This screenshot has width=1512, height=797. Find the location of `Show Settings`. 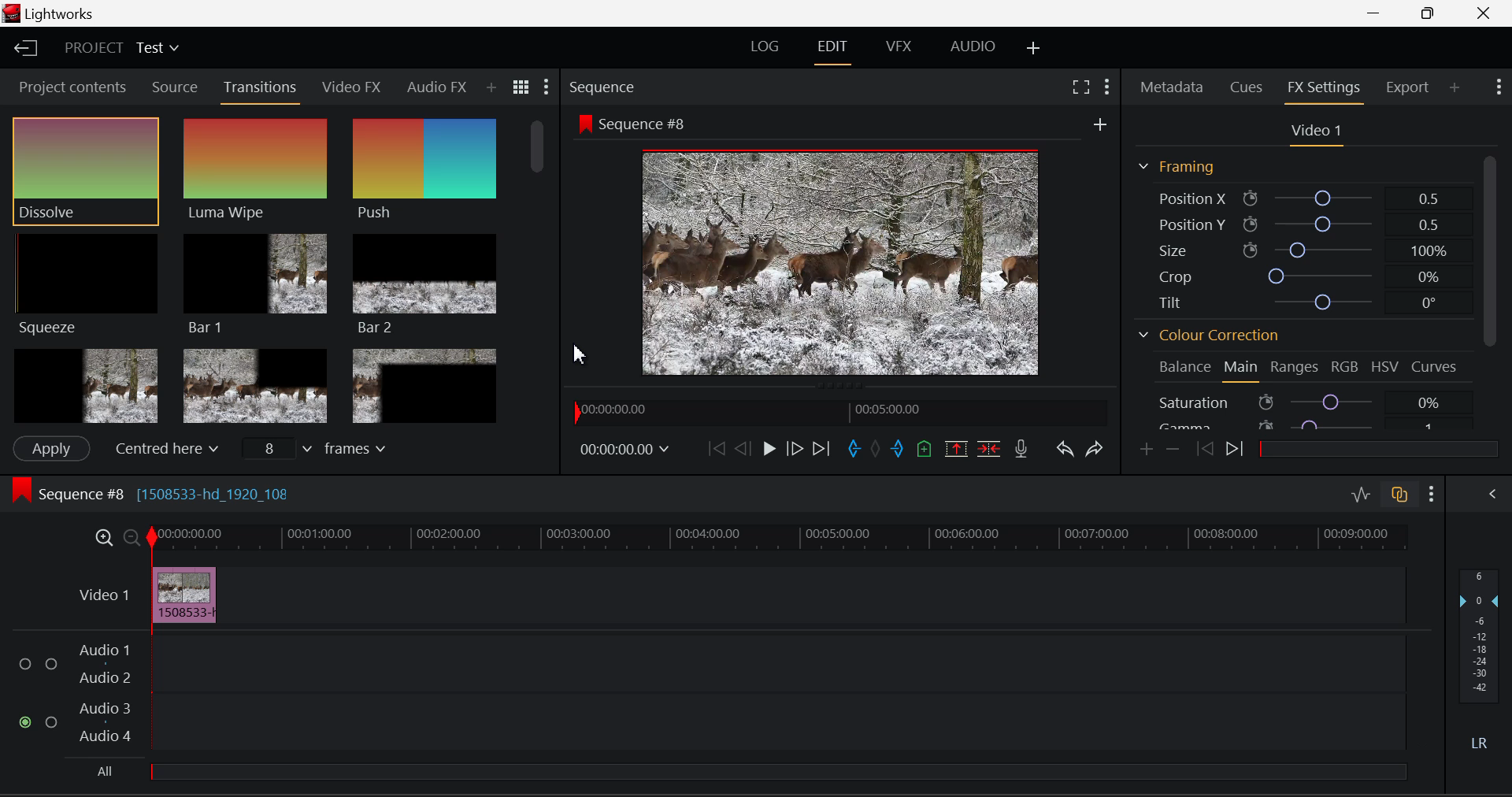

Show Settings is located at coordinates (1430, 493).